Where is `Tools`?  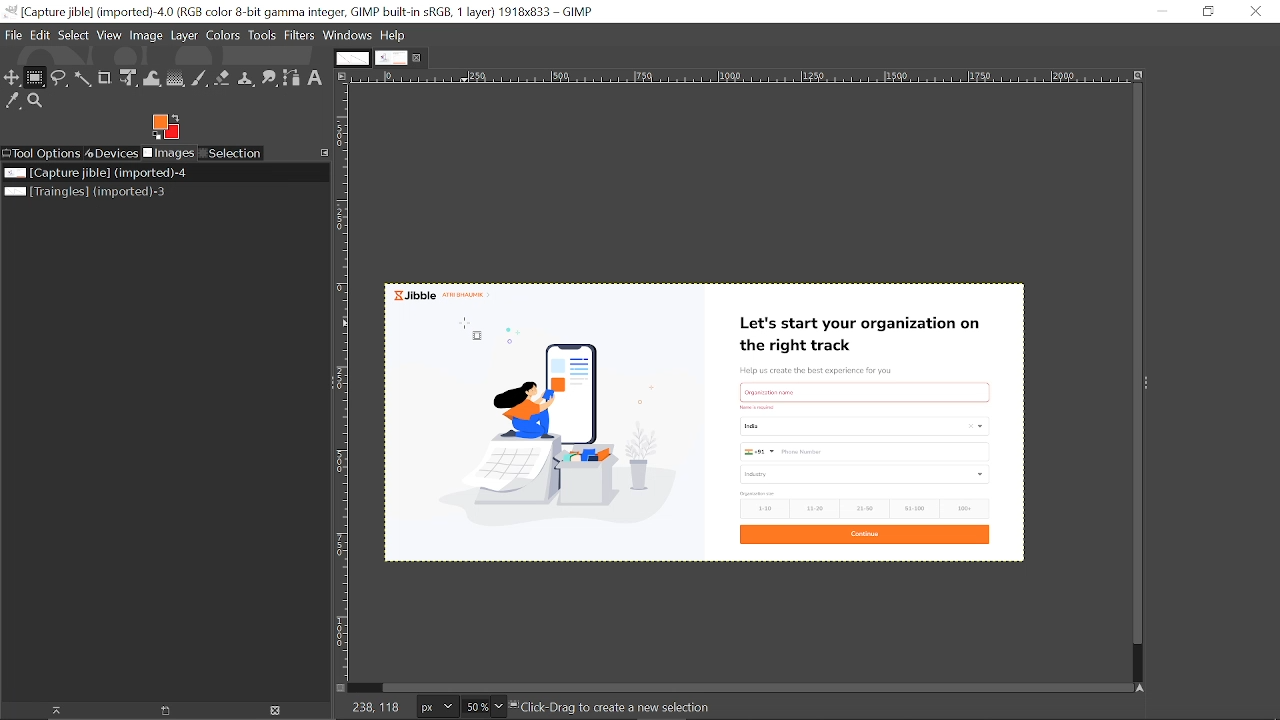 Tools is located at coordinates (264, 37).